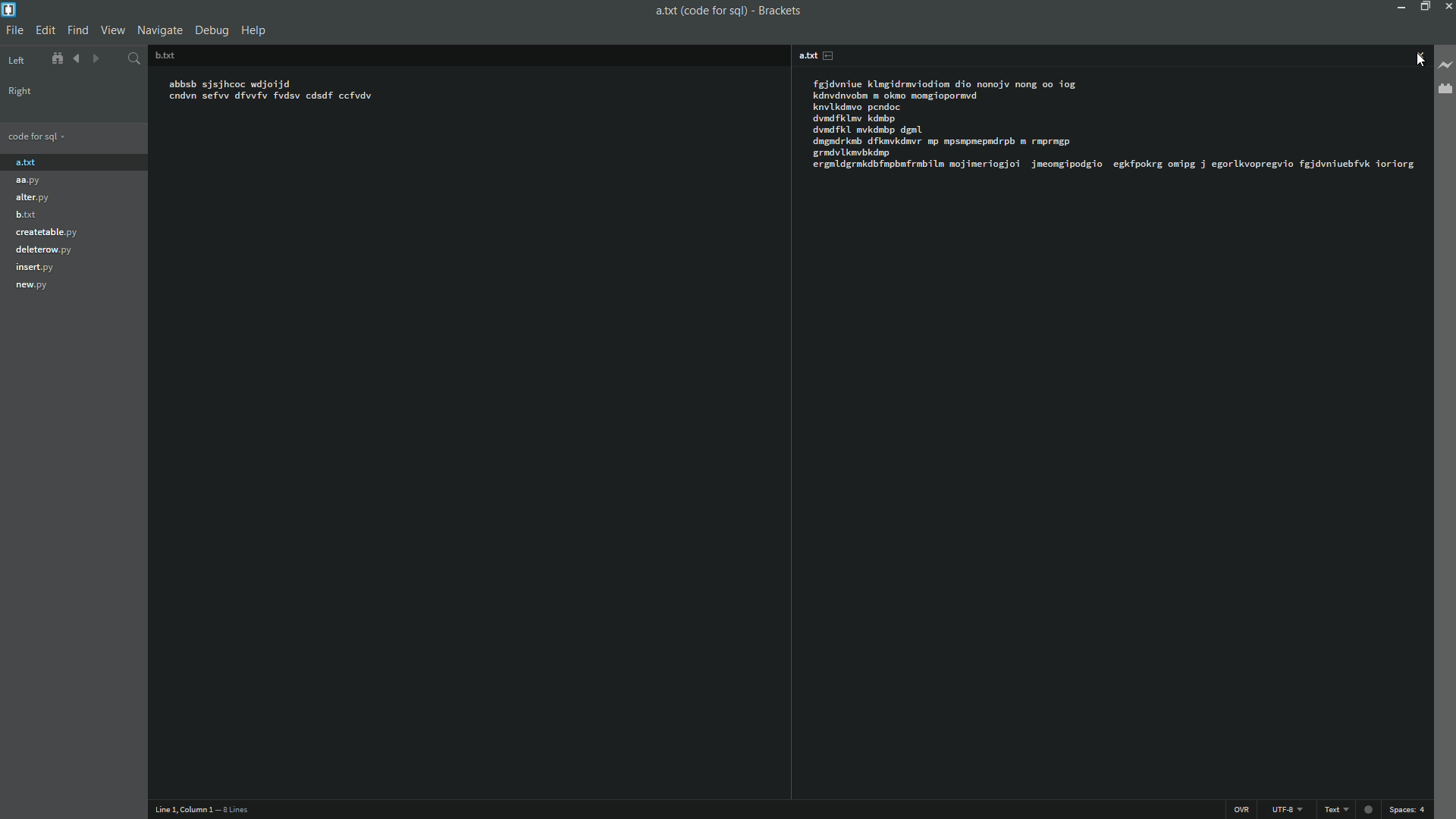 Image resolution: width=1456 pixels, height=819 pixels. Describe the element at coordinates (1447, 6) in the screenshot. I see `close app` at that location.